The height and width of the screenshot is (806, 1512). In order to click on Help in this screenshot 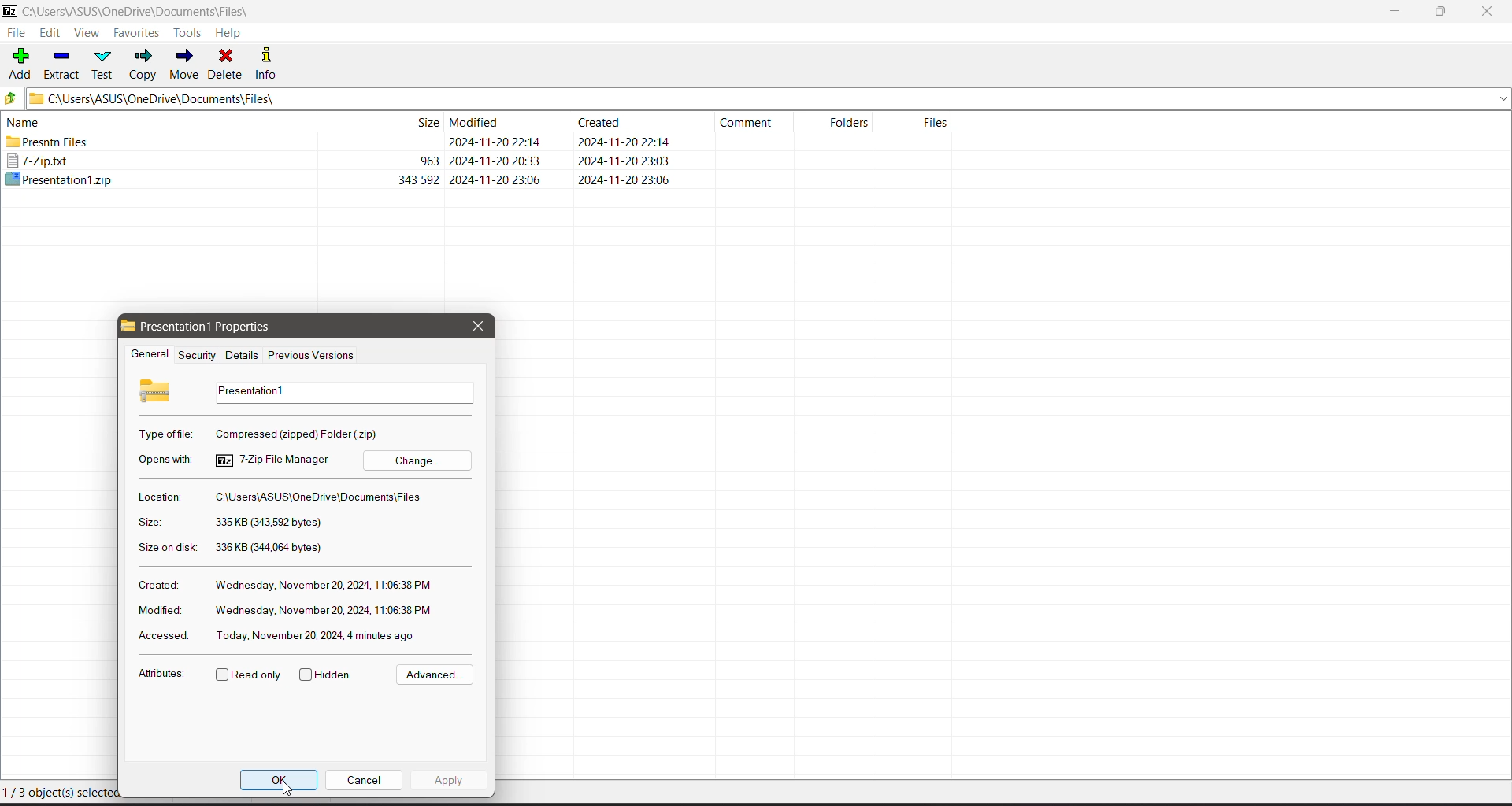, I will do `click(228, 33)`.